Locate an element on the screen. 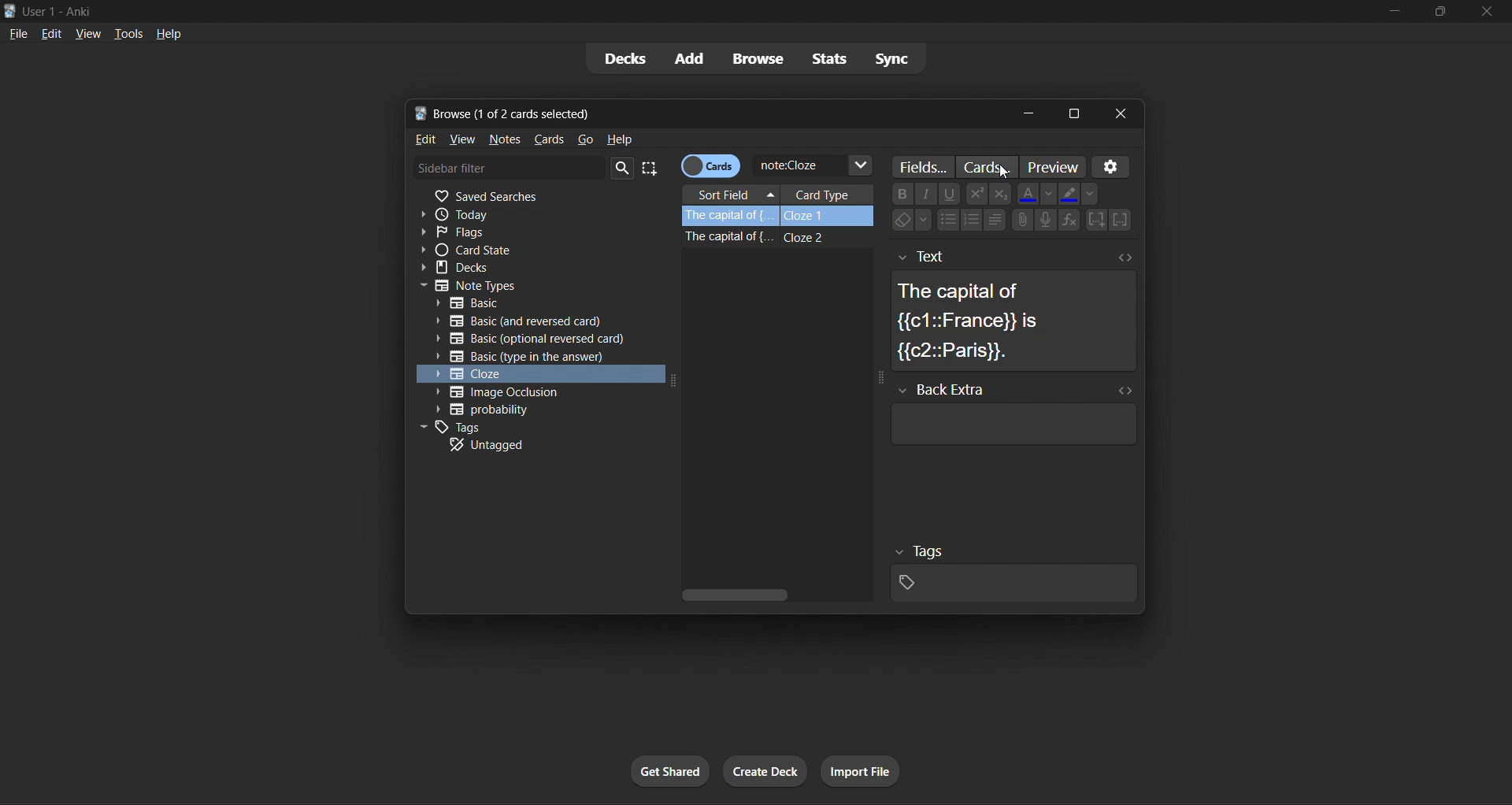 This screenshot has height=805, width=1512. cloze card filter is located at coordinates (532, 373).